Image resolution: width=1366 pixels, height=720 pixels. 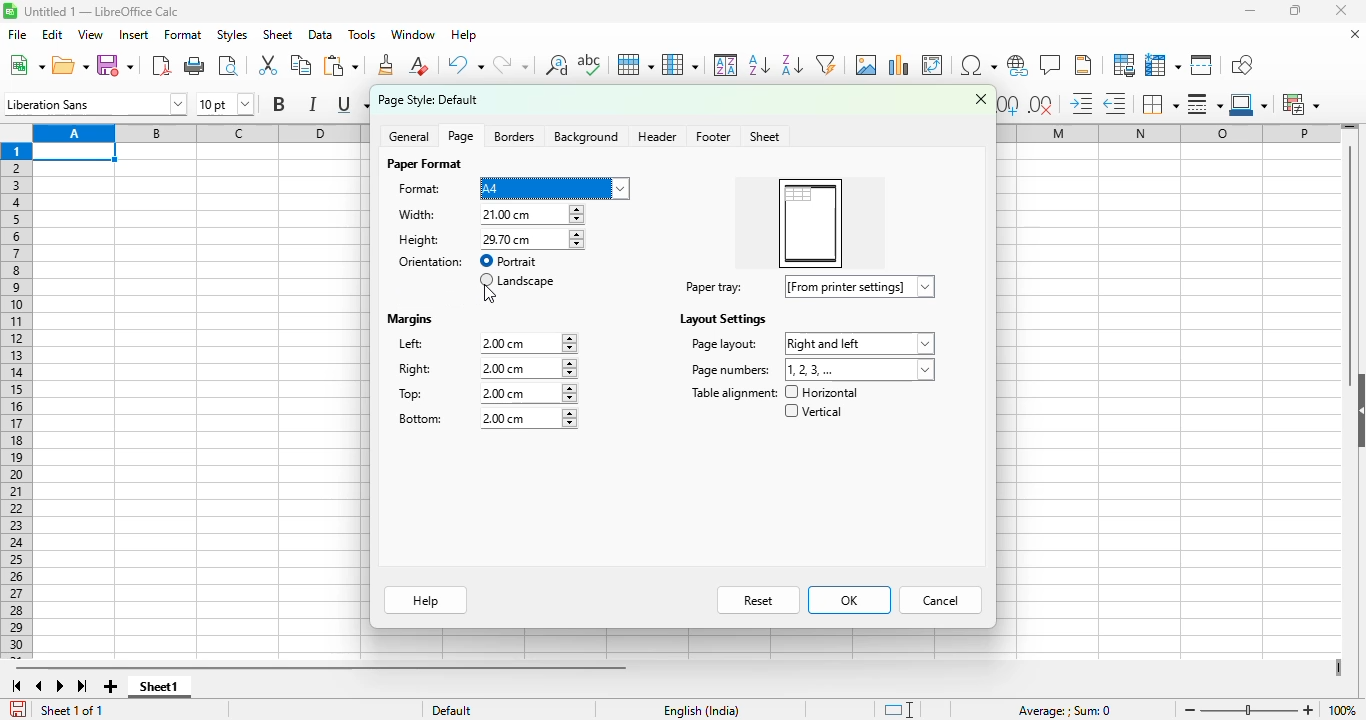 I want to click on paper tray: , so click(x=714, y=287).